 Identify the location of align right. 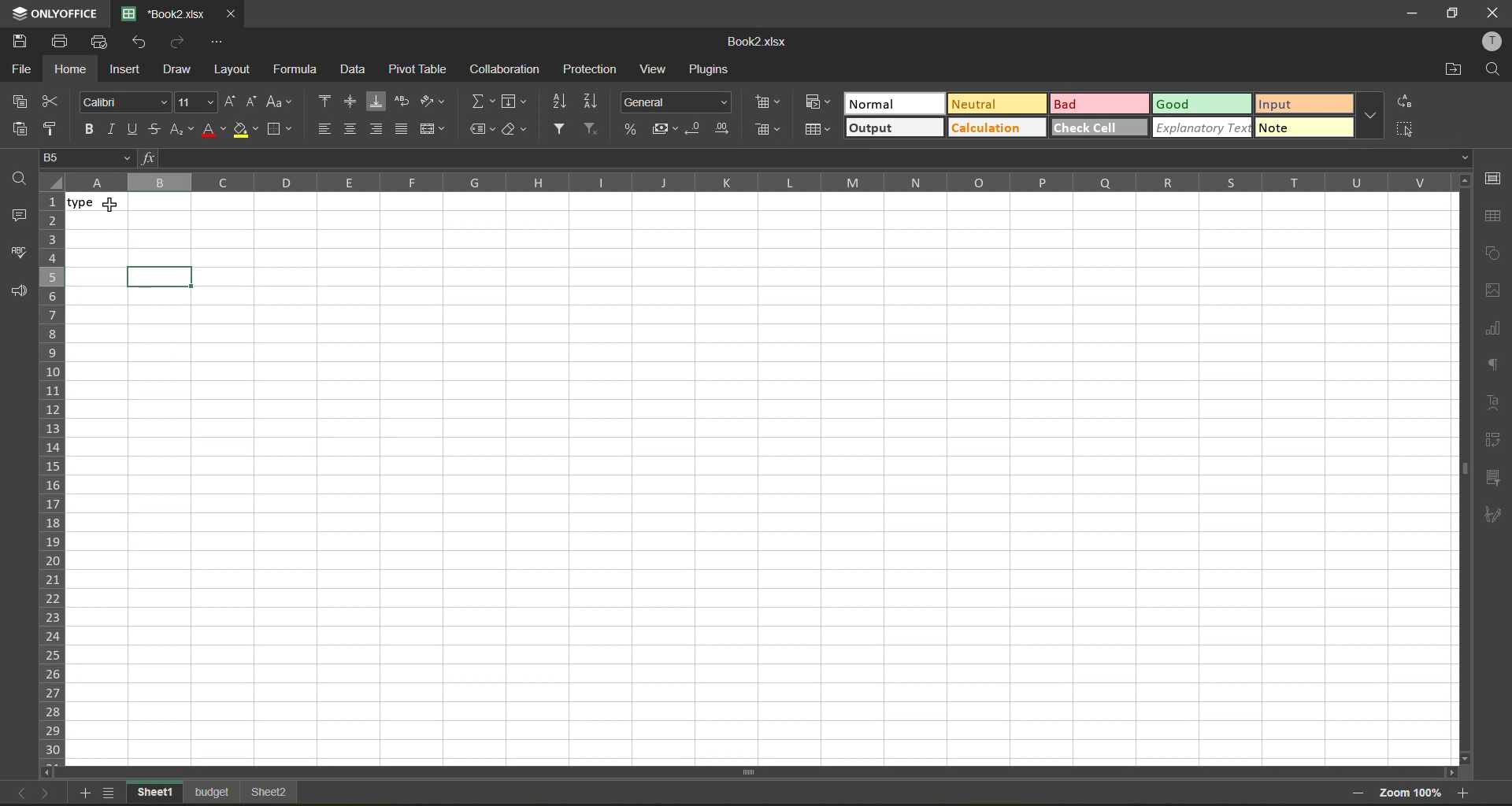
(377, 130).